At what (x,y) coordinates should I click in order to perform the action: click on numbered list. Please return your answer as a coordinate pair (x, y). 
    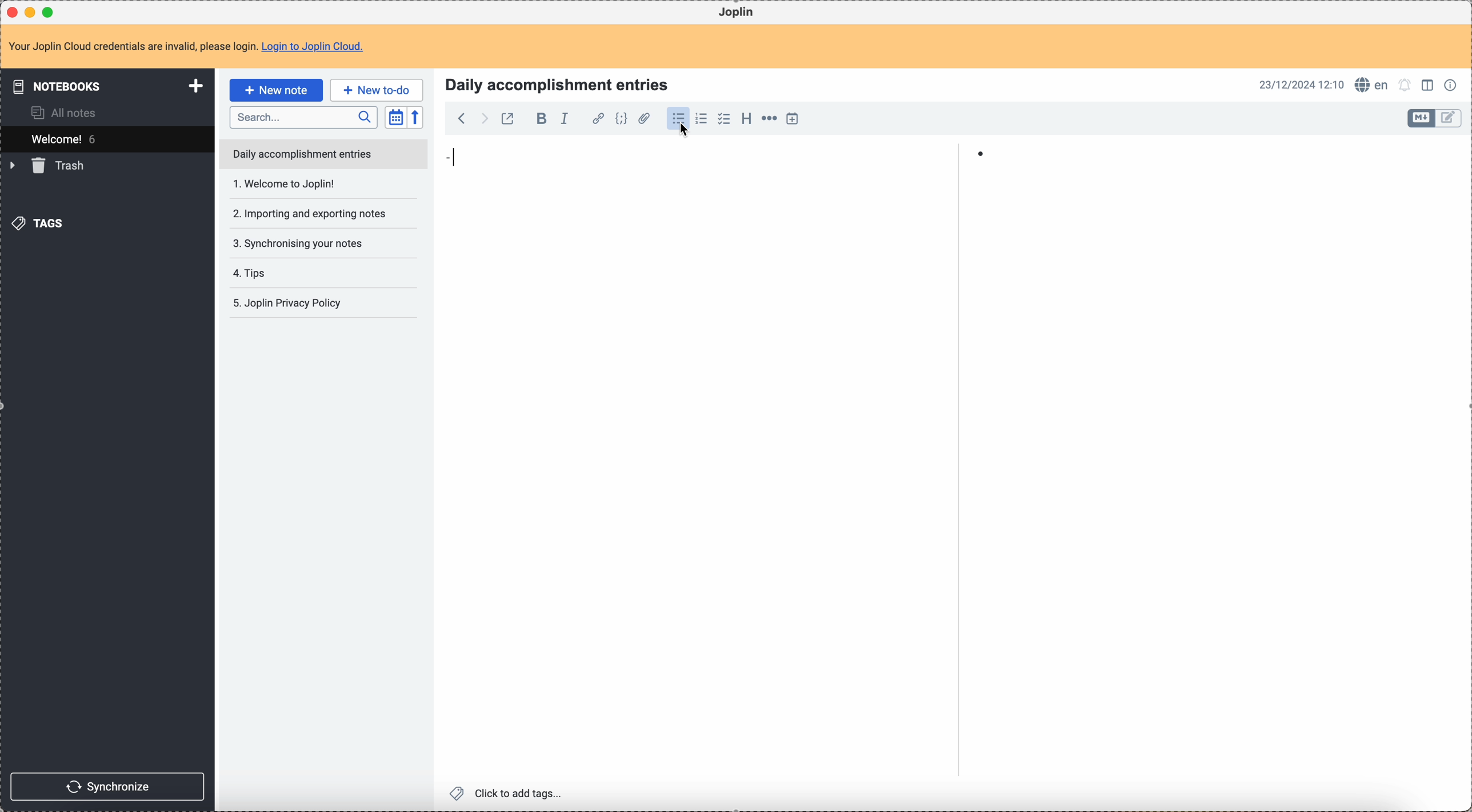
    Looking at the image, I should click on (701, 120).